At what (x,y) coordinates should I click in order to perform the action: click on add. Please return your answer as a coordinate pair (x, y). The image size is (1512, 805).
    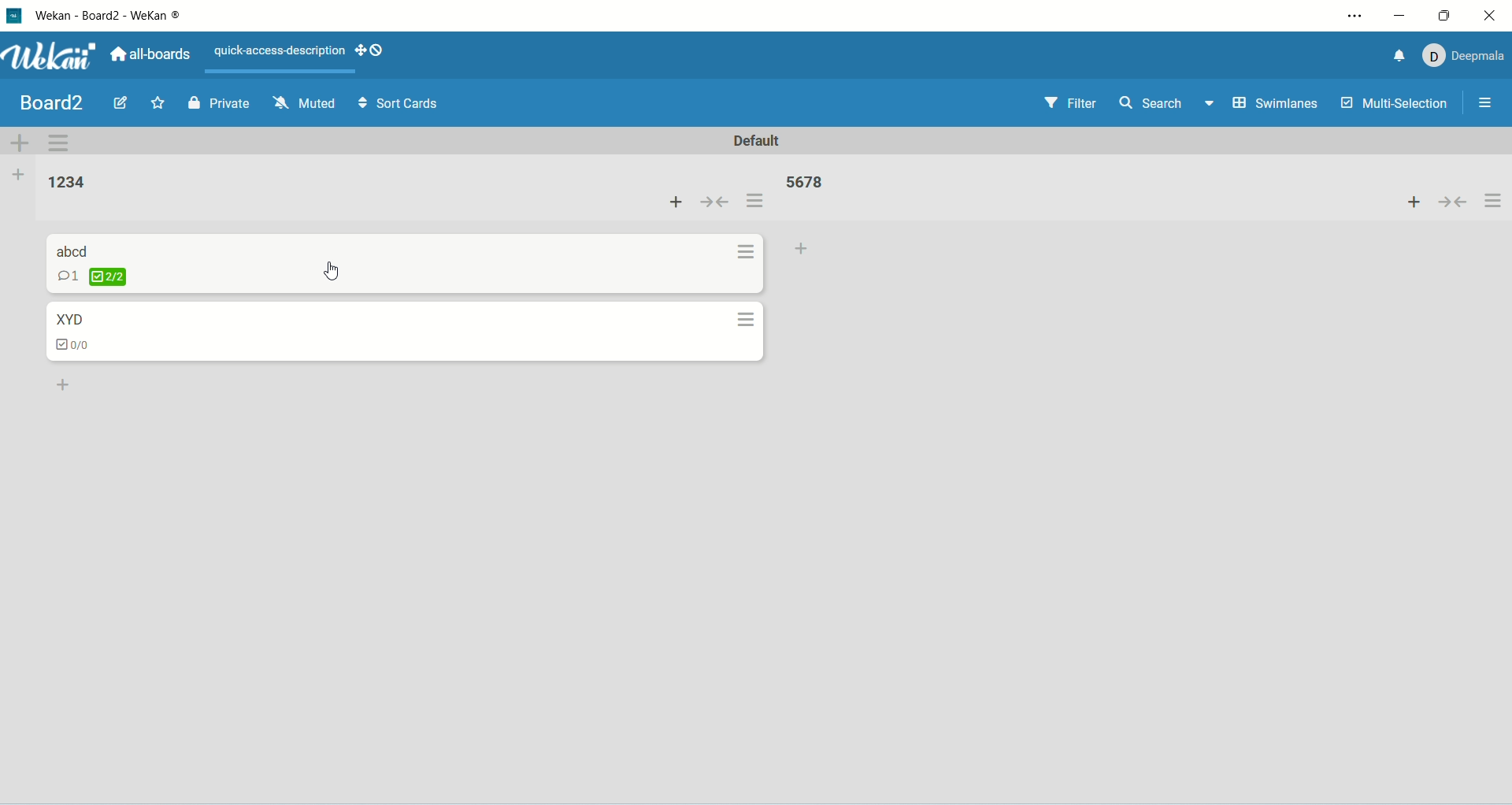
    Looking at the image, I should click on (1411, 202).